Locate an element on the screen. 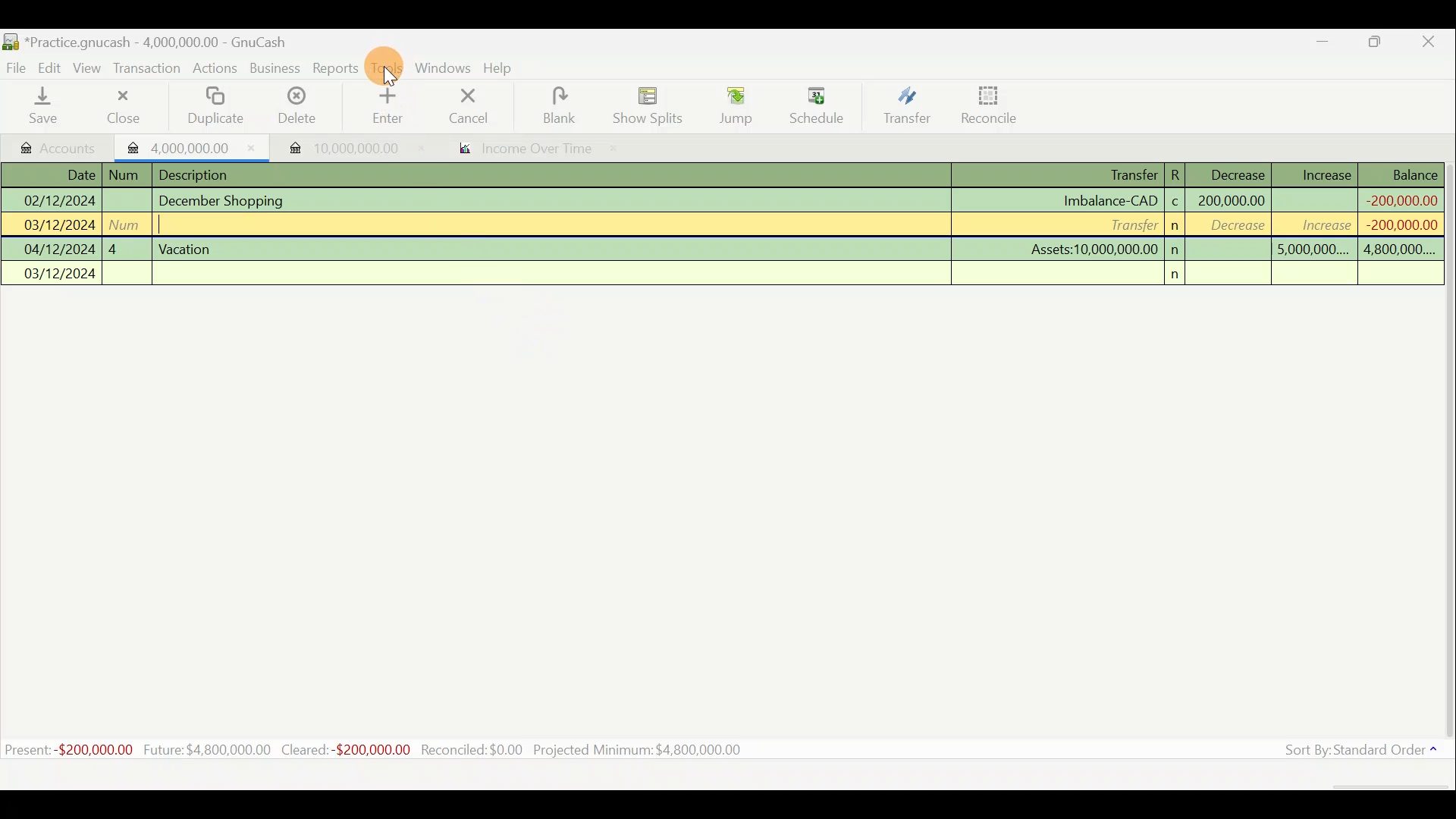 This screenshot has height=819, width=1456. increase is located at coordinates (1317, 224).